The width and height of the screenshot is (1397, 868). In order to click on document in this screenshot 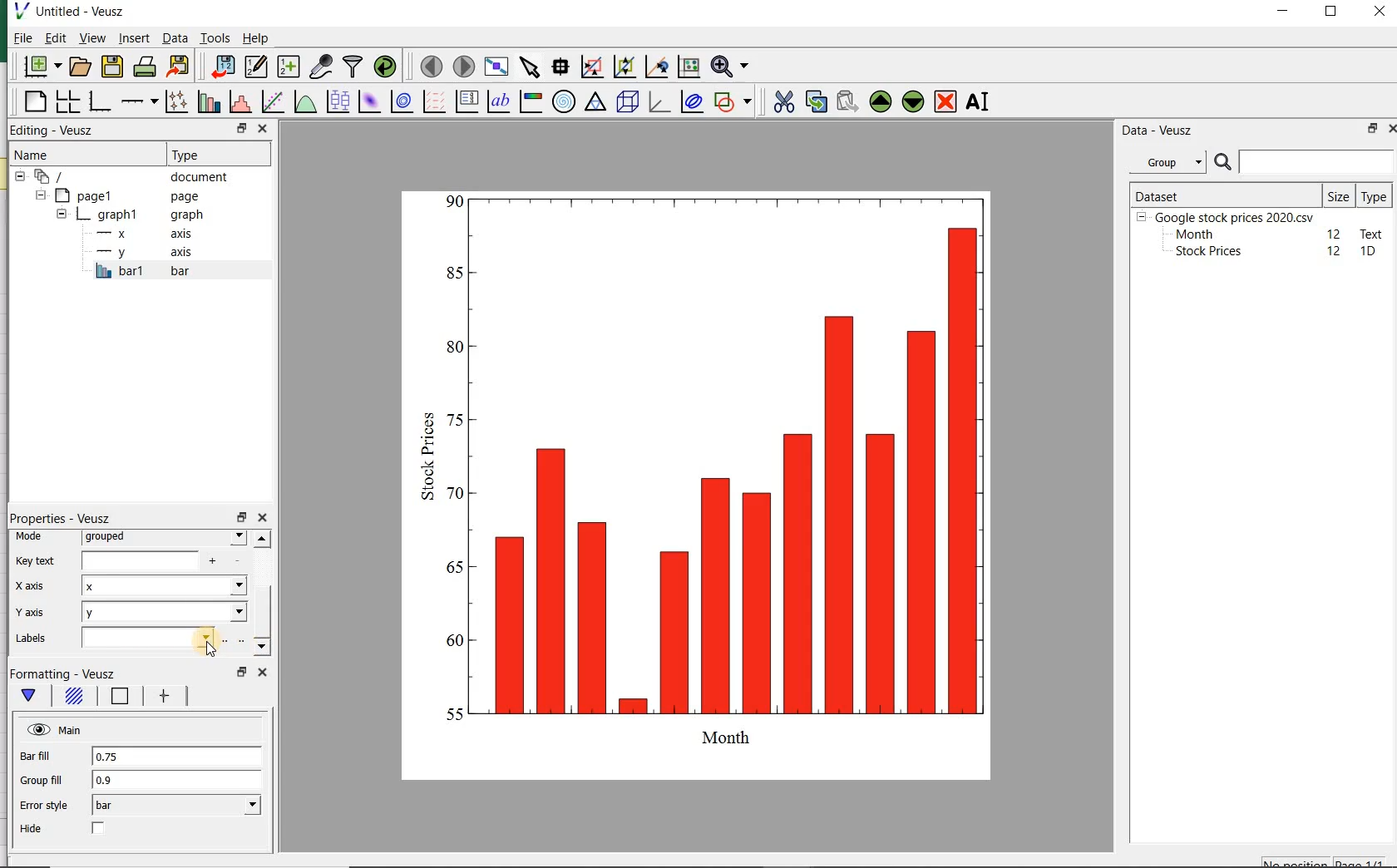, I will do `click(129, 177)`.